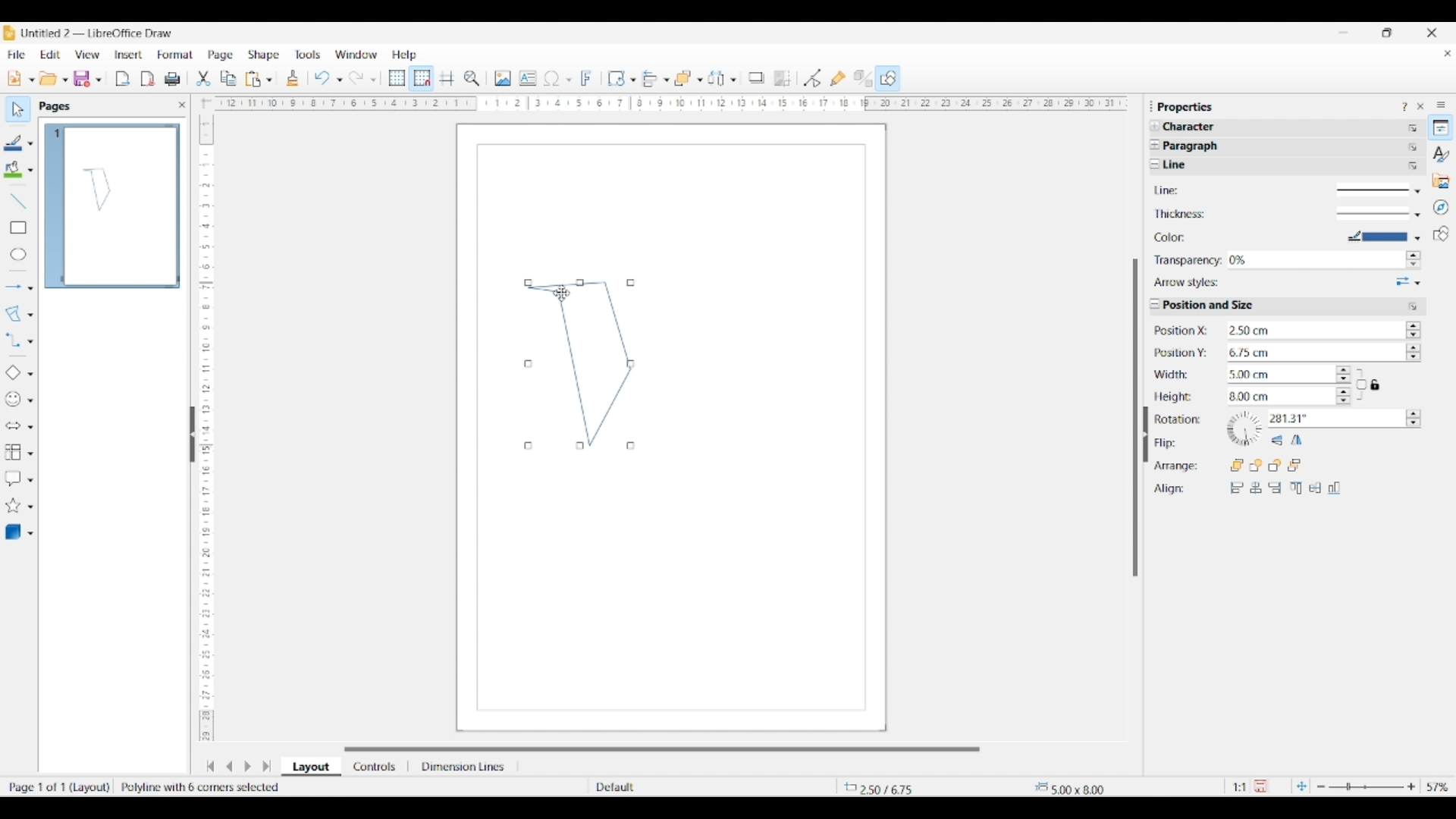  What do you see at coordinates (1312, 353) in the screenshot?
I see `Type position Y` at bounding box center [1312, 353].